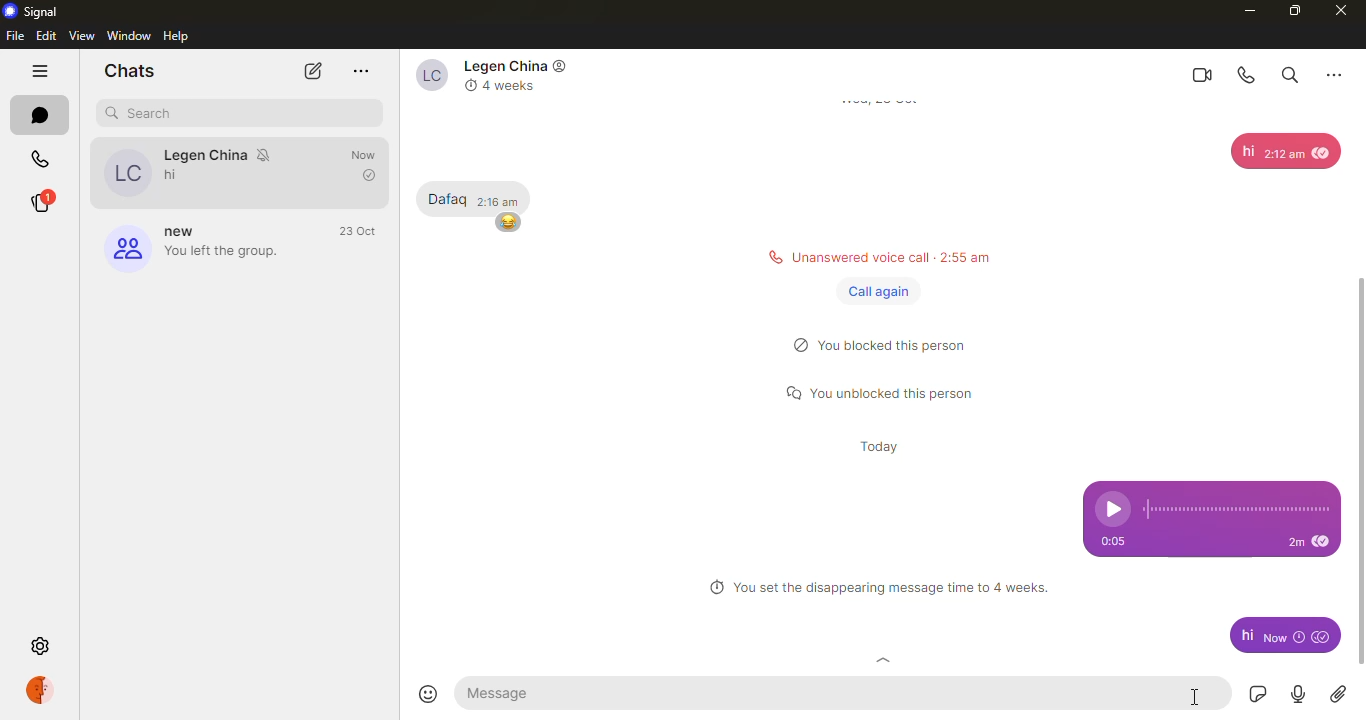 The image size is (1366, 720). What do you see at coordinates (1214, 501) in the screenshot?
I see `voice message` at bounding box center [1214, 501].